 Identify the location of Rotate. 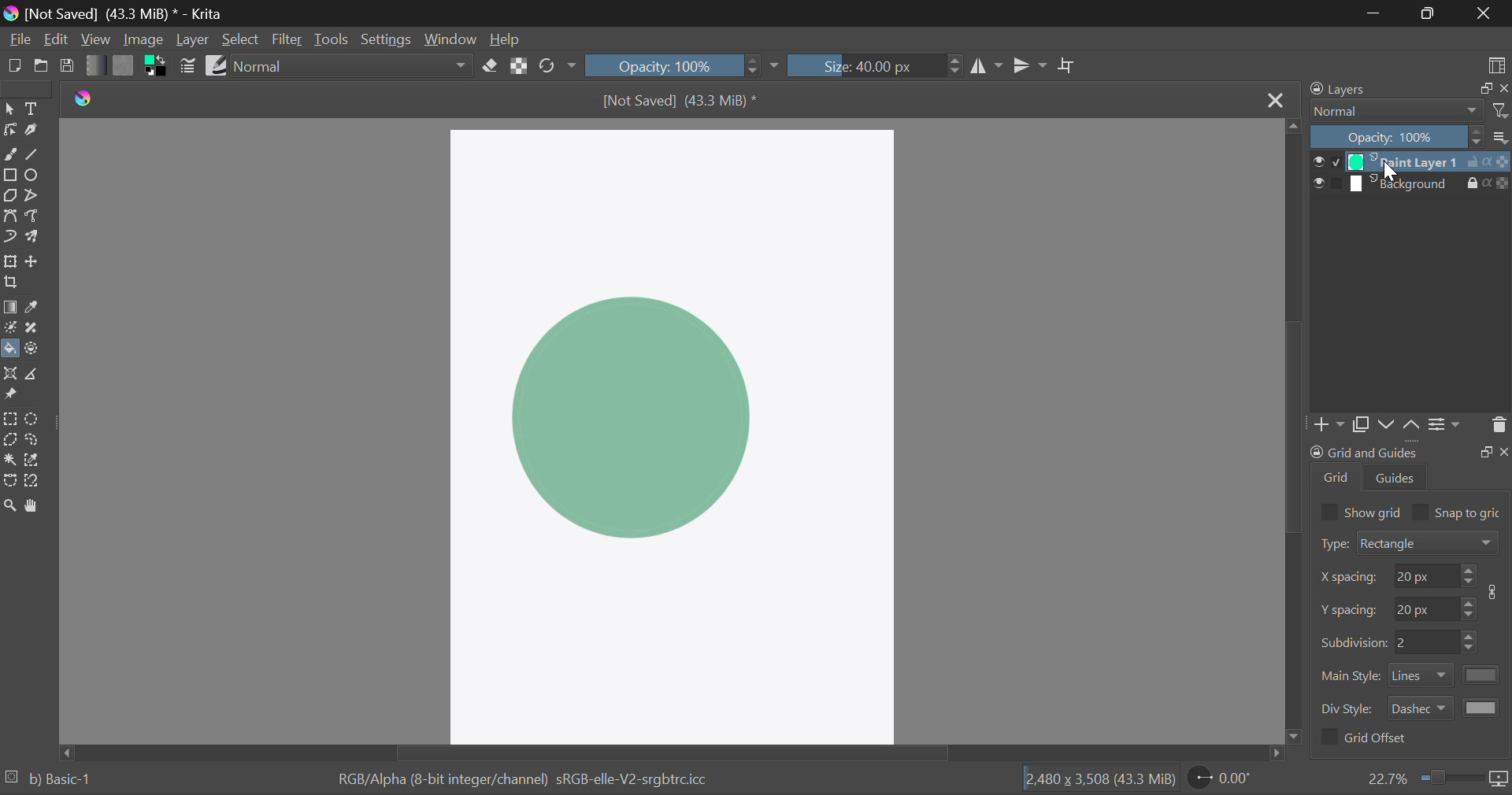
(558, 66).